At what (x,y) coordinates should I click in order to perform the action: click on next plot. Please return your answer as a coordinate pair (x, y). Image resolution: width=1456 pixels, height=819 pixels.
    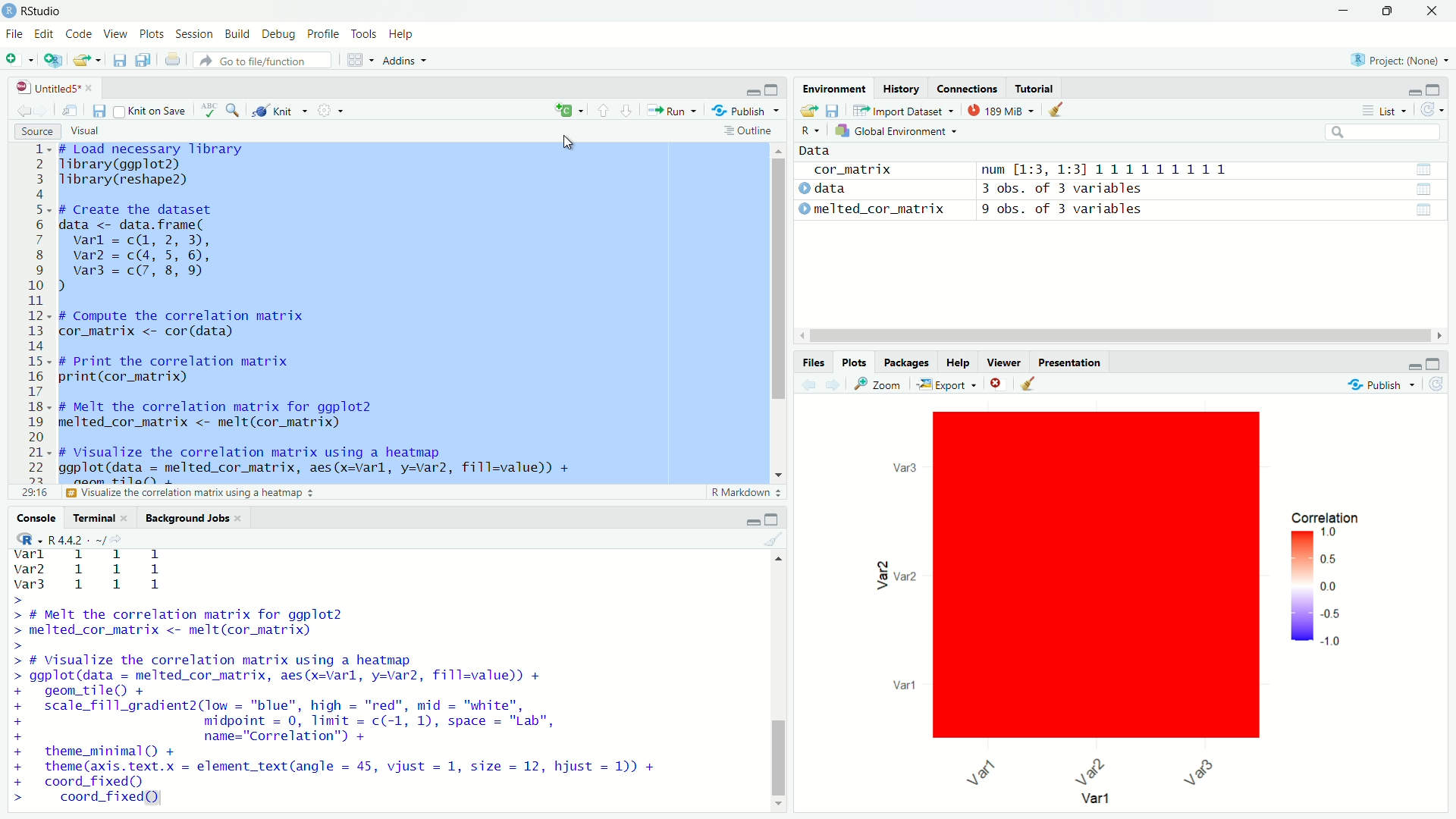
    Looking at the image, I should click on (833, 384).